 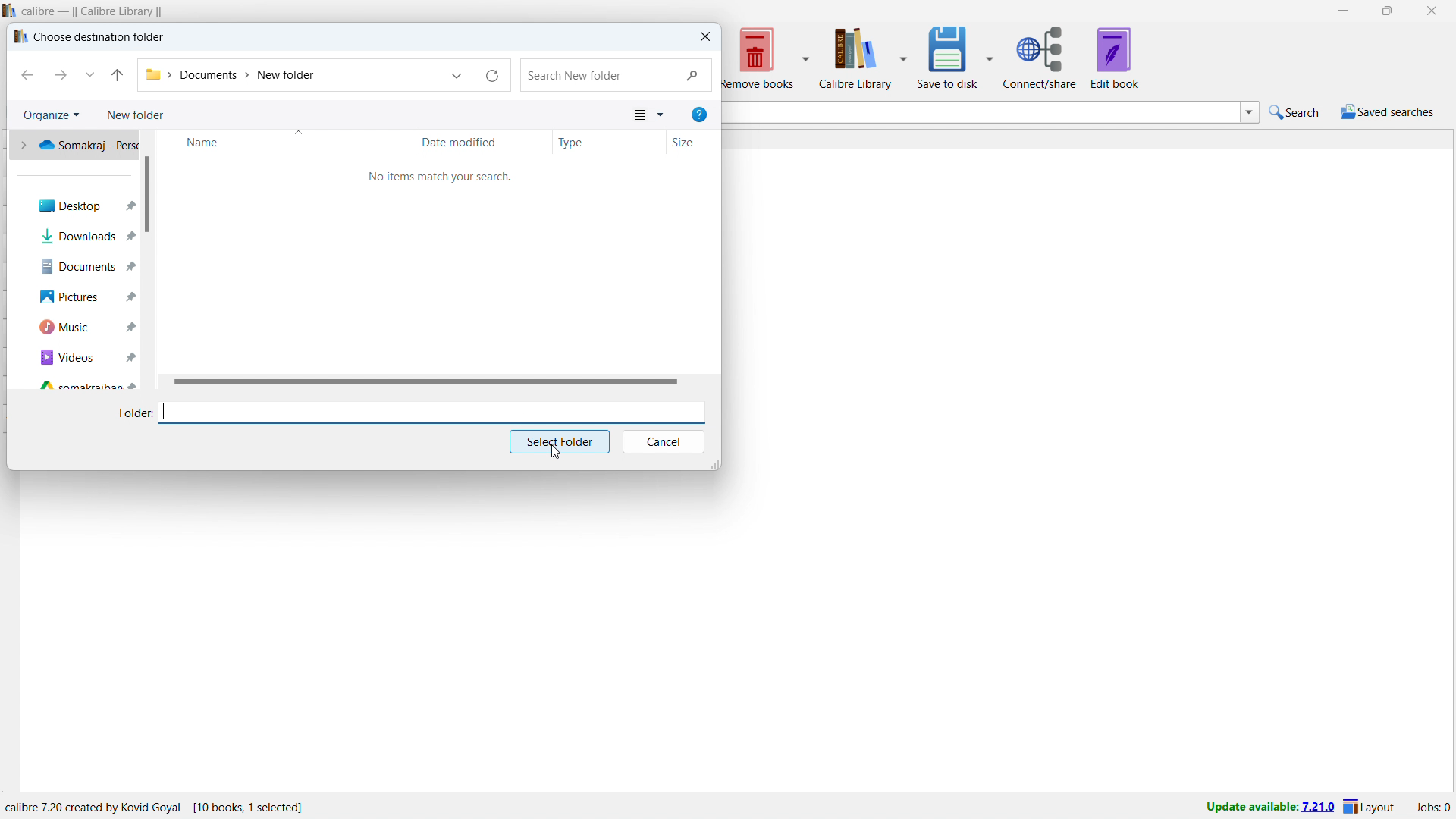 What do you see at coordinates (699, 115) in the screenshot?
I see `help` at bounding box center [699, 115].